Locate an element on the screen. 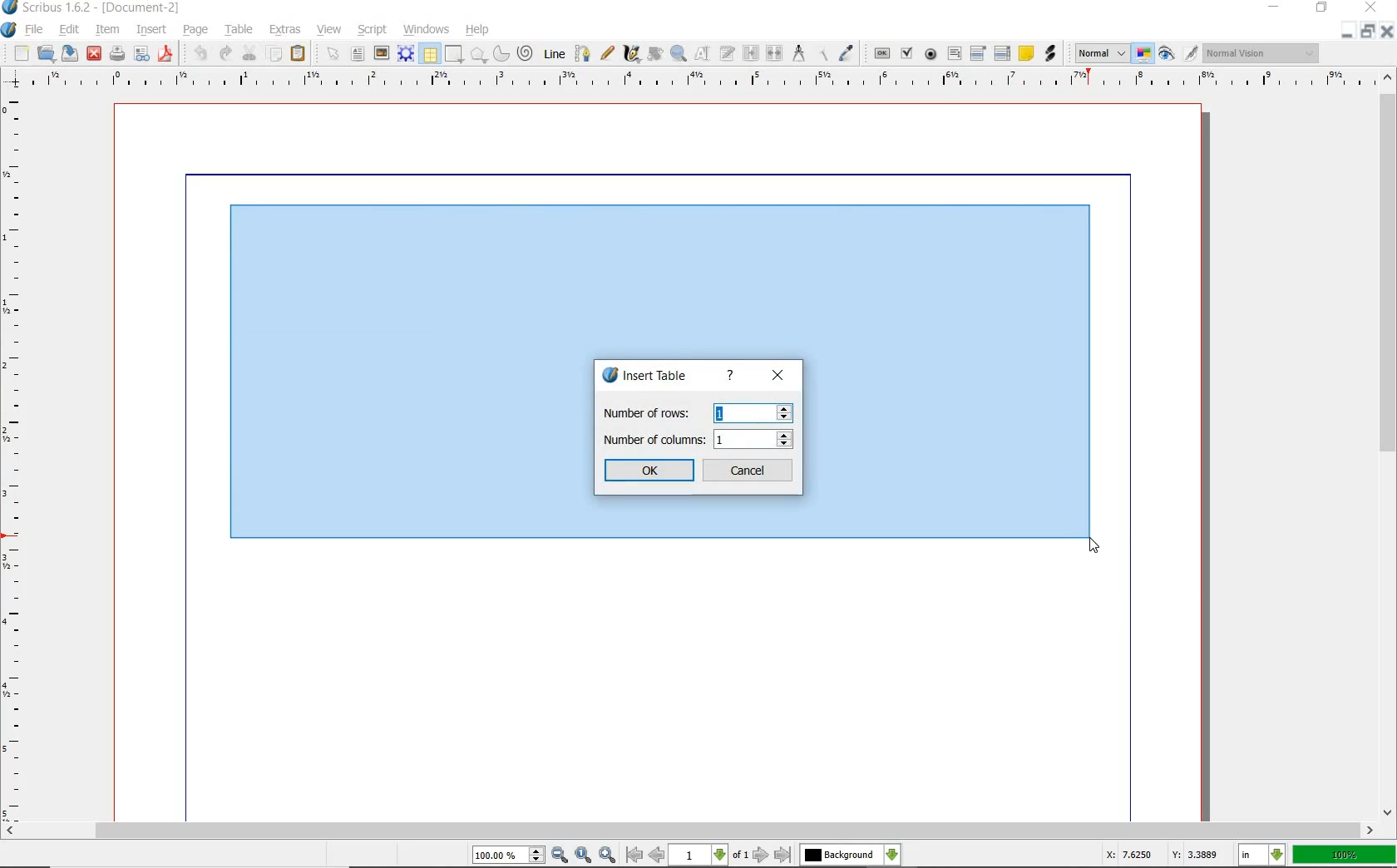 This screenshot has height=868, width=1397. Cursor is located at coordinates (1095, 545).